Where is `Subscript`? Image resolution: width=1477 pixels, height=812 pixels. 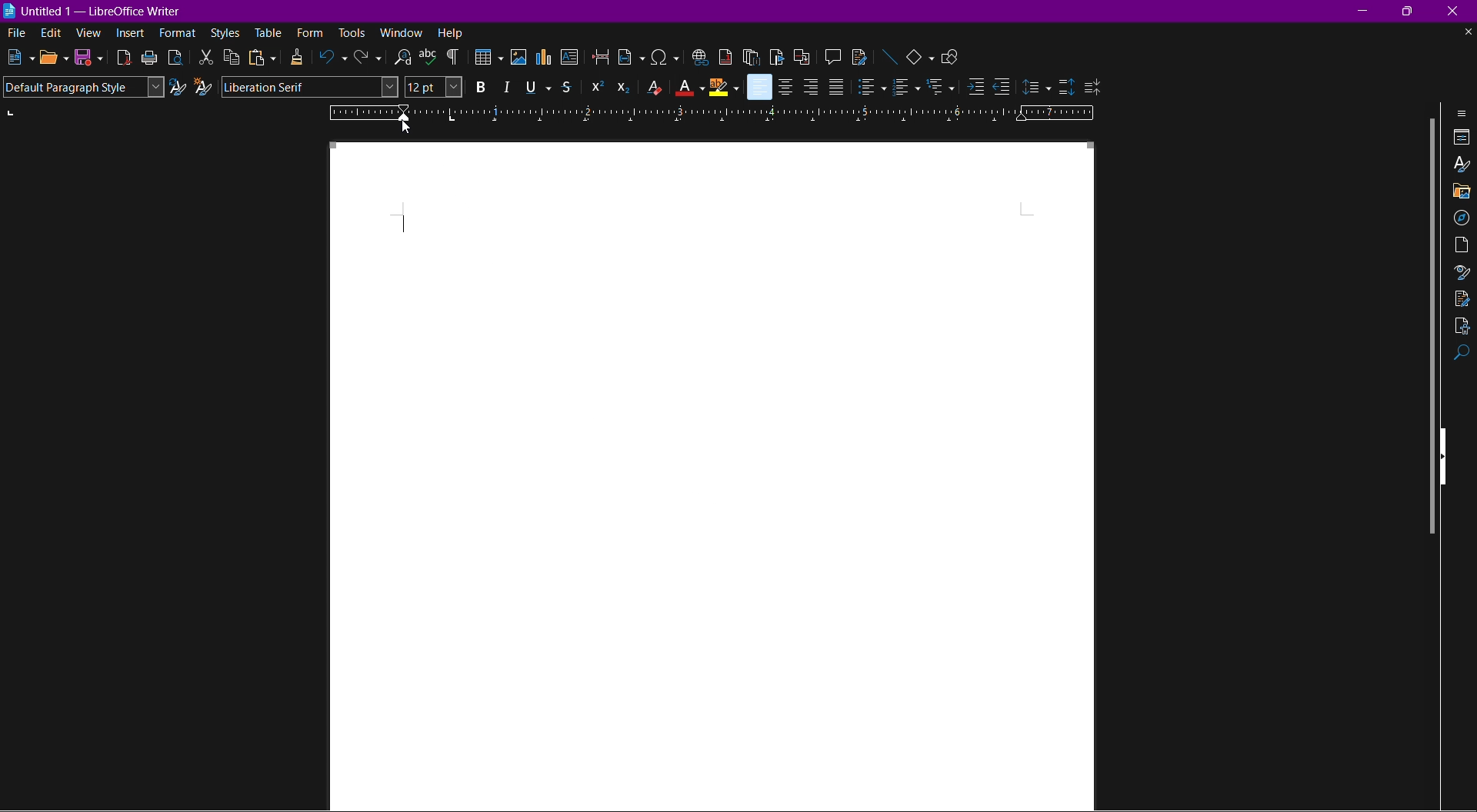 Subscript is located at coordinates (624, 87).